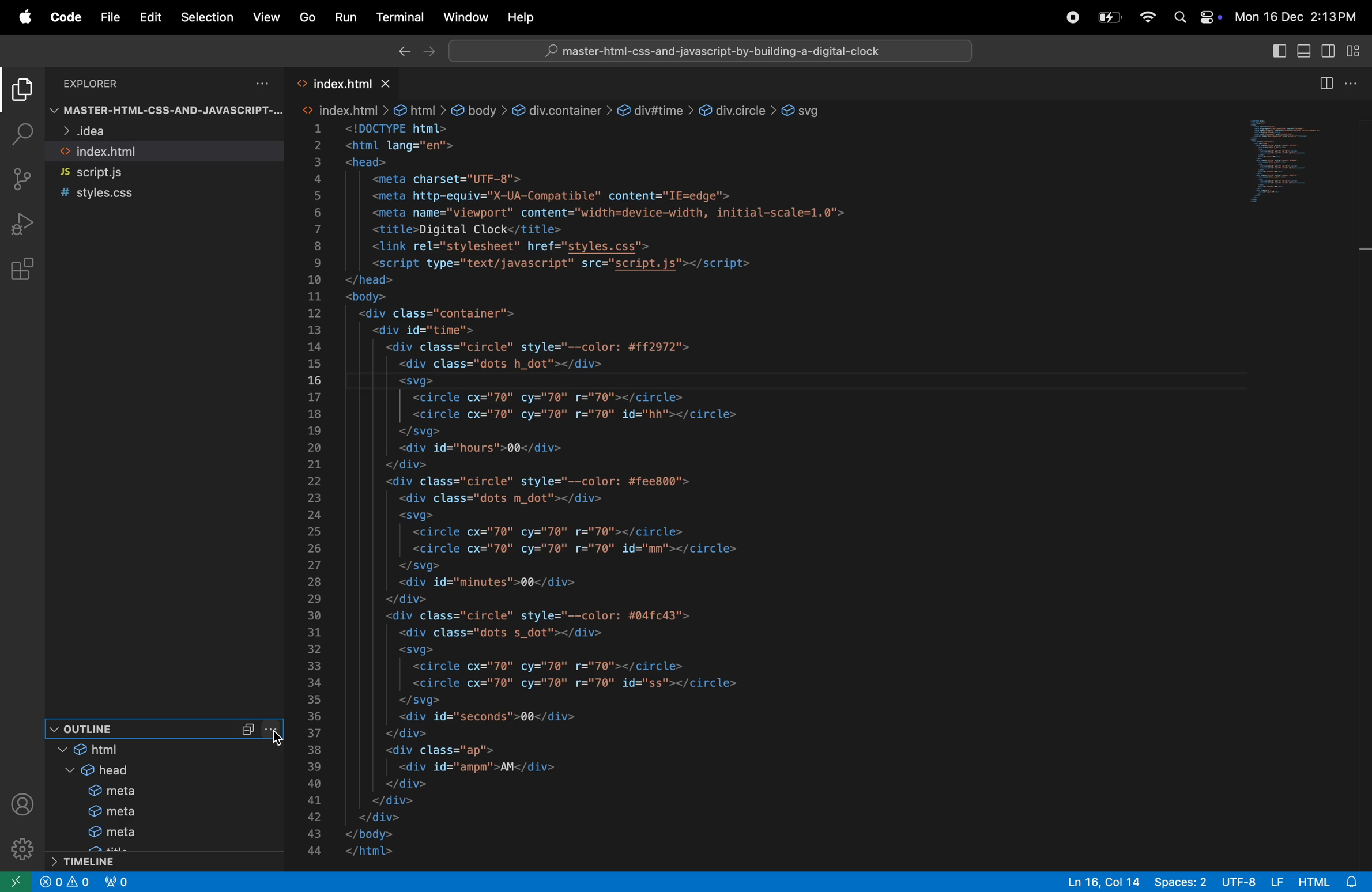  What do you see at coordinates (1180, 18) in the screenshot?
I see `search` at bounding box center [1180, 18].